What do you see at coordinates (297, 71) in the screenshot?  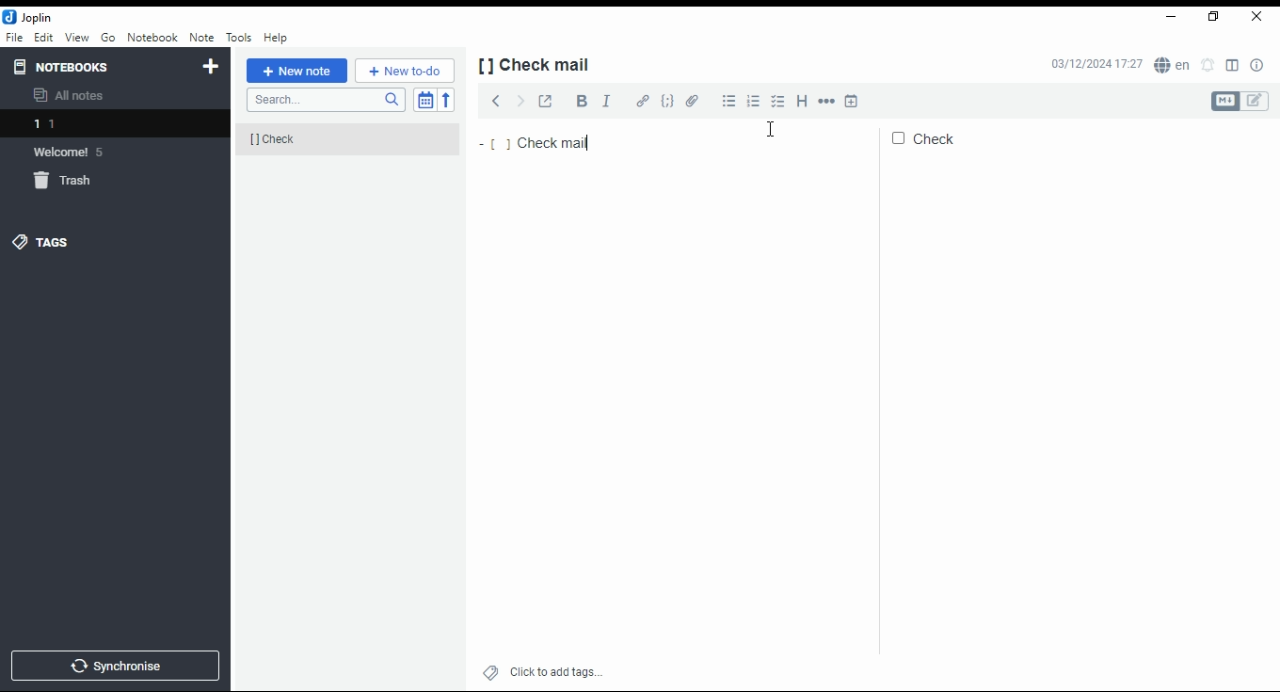 I see `new note` at bounding box center [297, 71].